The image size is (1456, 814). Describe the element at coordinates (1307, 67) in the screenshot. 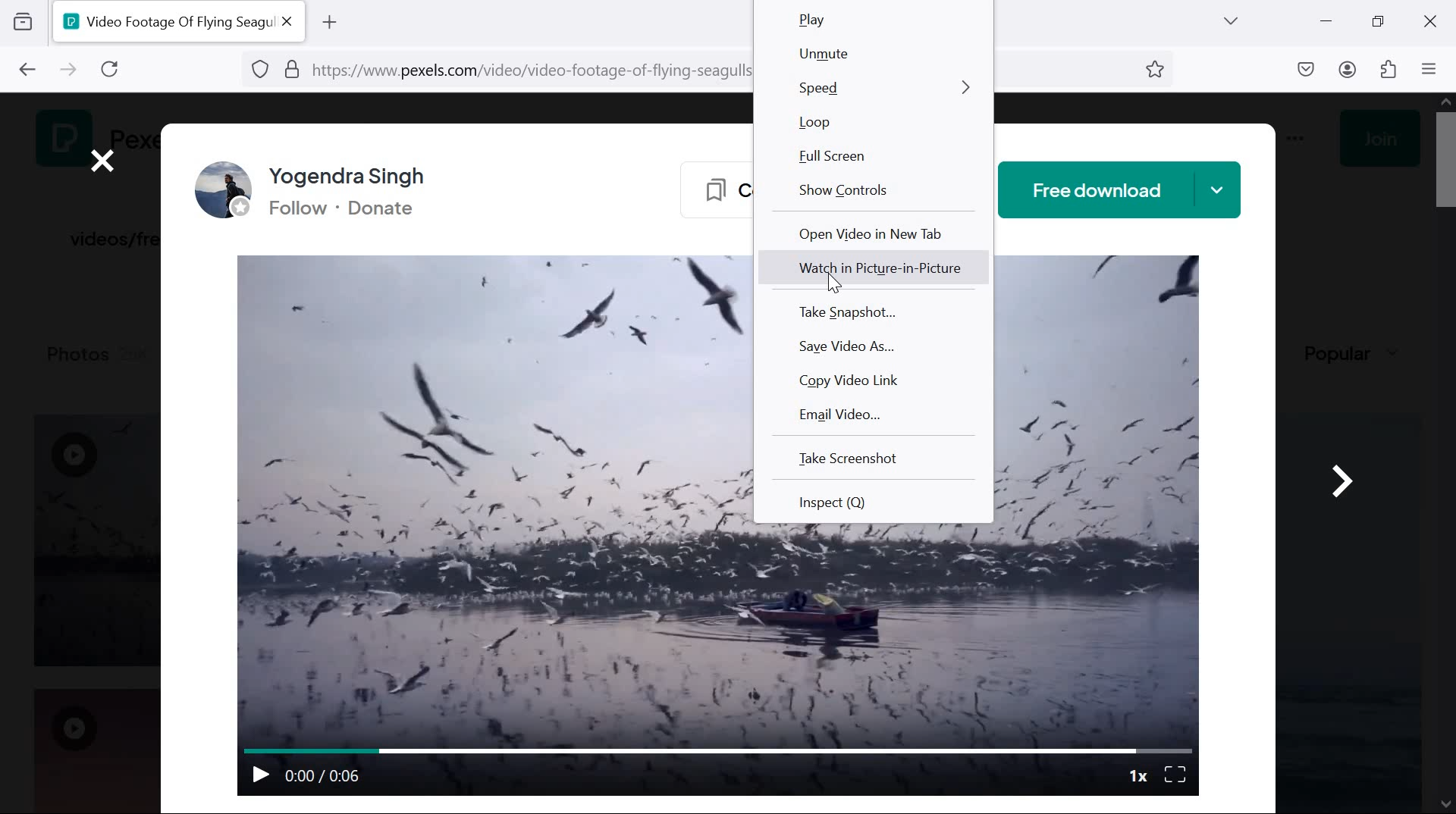

I see `downloads` at that location.